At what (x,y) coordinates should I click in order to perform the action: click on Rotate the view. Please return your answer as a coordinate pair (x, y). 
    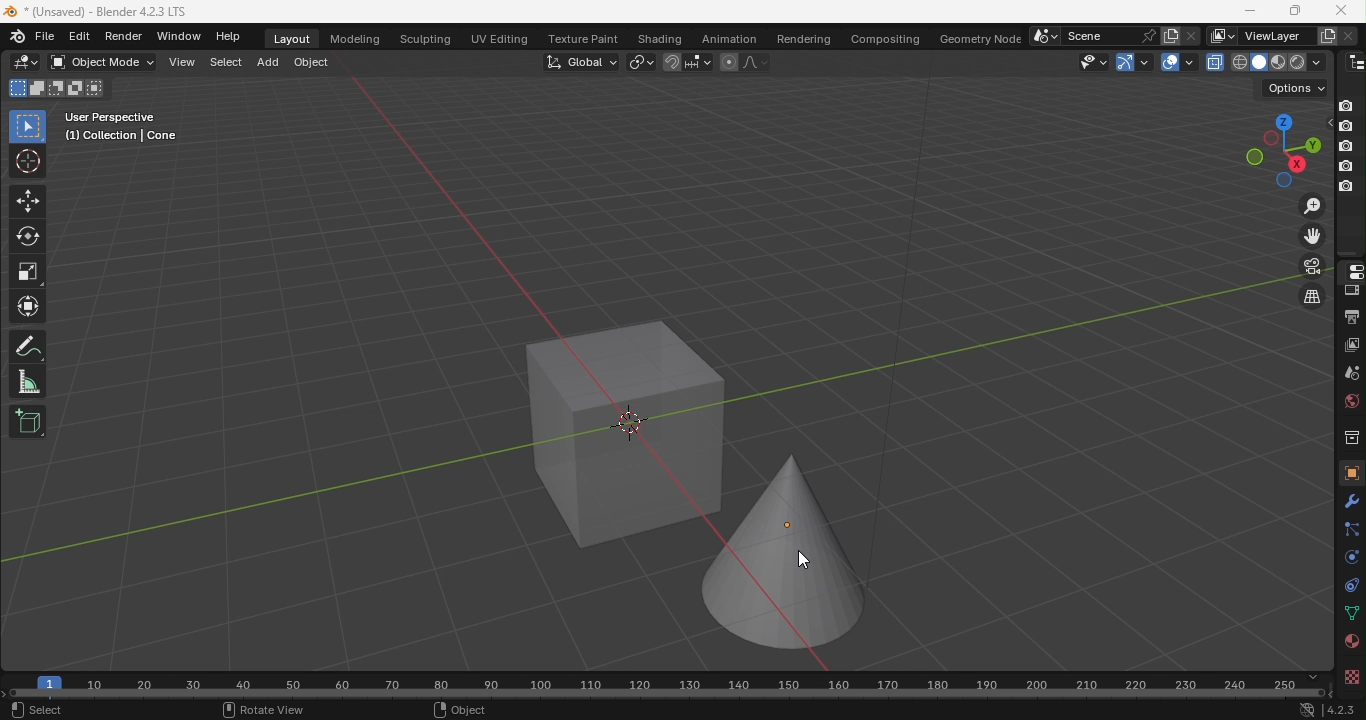
    Looking at the image, I should click on (1296, 164).